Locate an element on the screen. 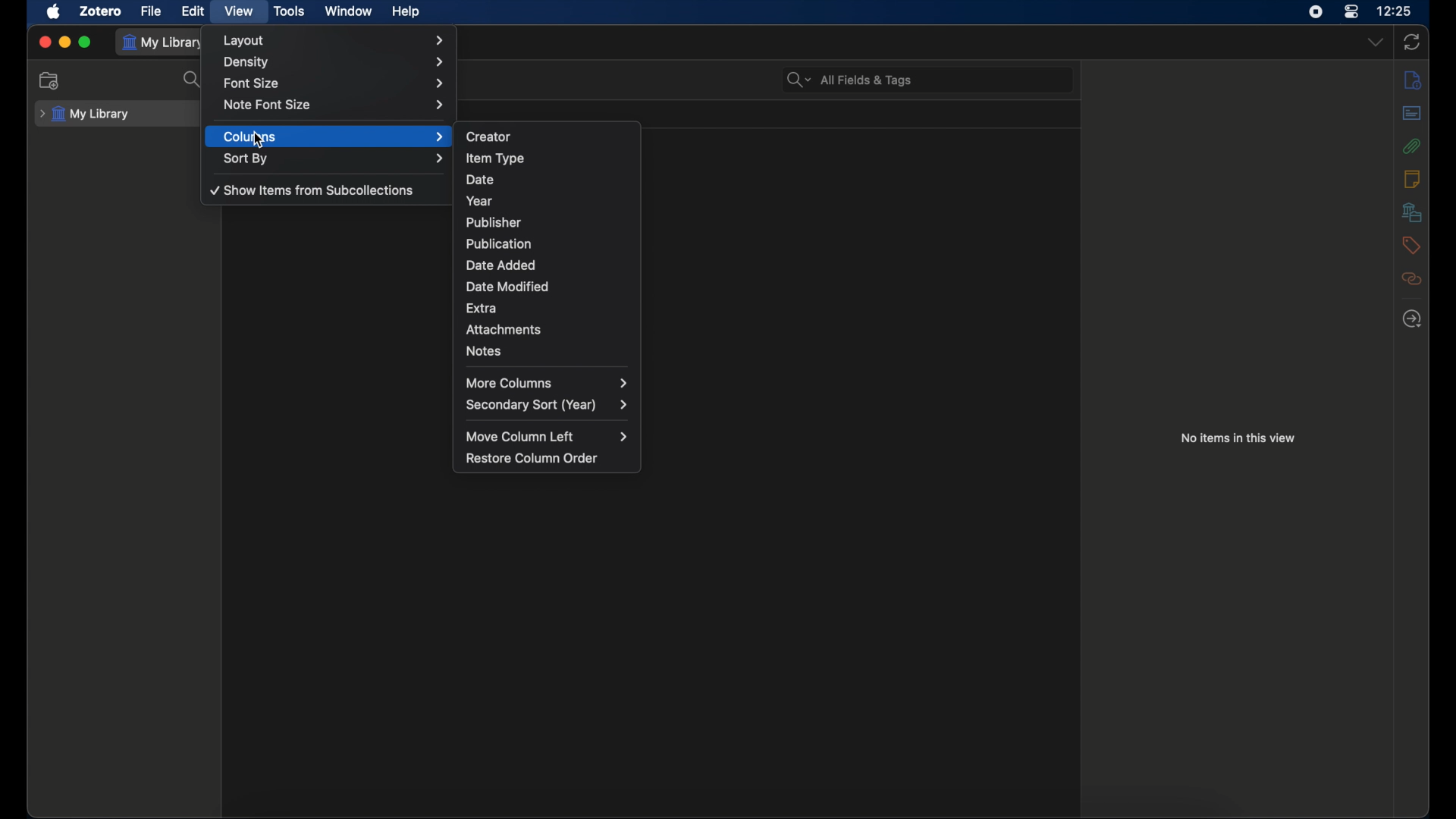 The image size is (1456, 819). close is located at coordinates (44, 42).